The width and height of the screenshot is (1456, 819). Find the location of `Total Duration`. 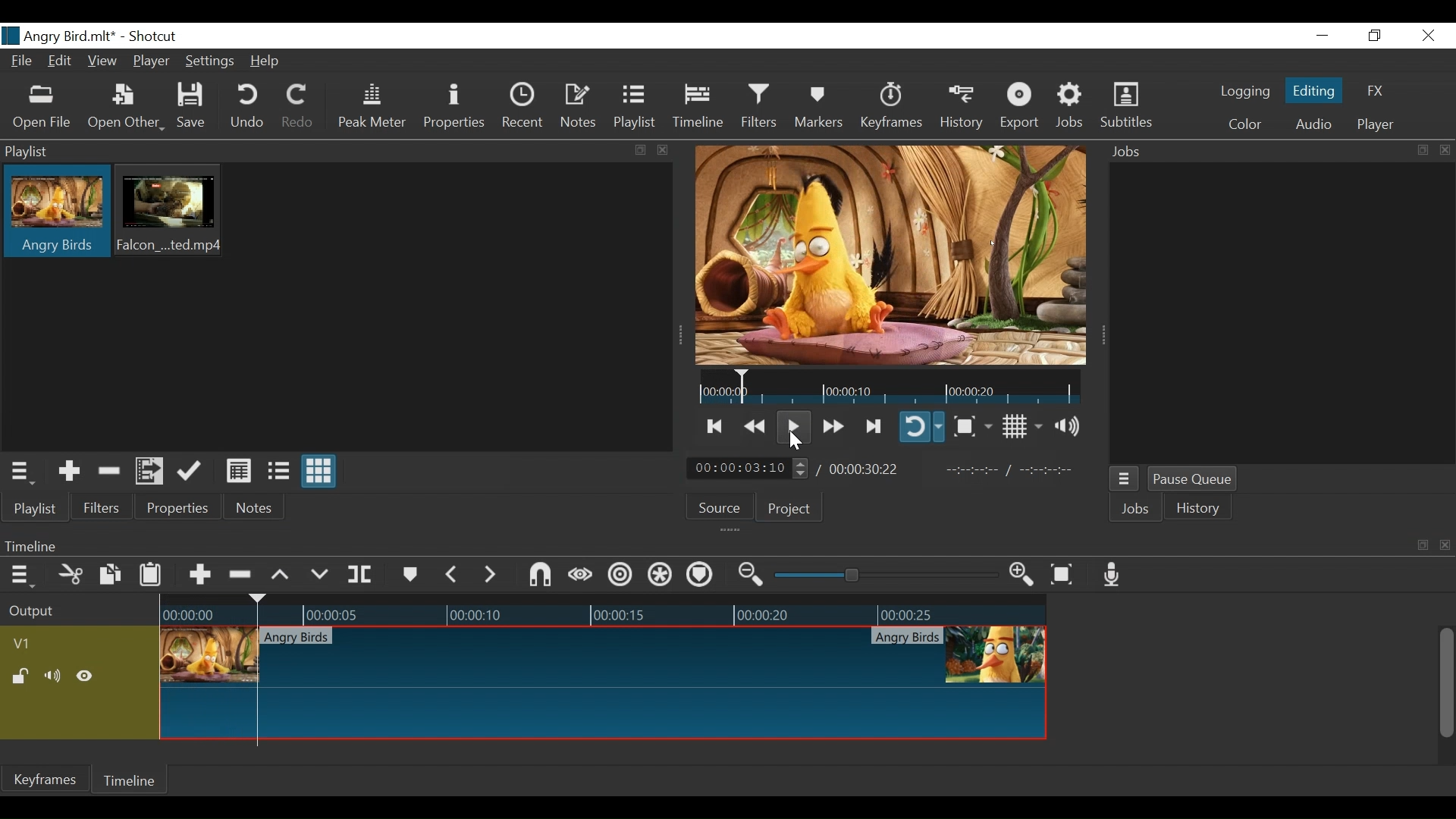

Total Duration is located at coordinates (870, 469).